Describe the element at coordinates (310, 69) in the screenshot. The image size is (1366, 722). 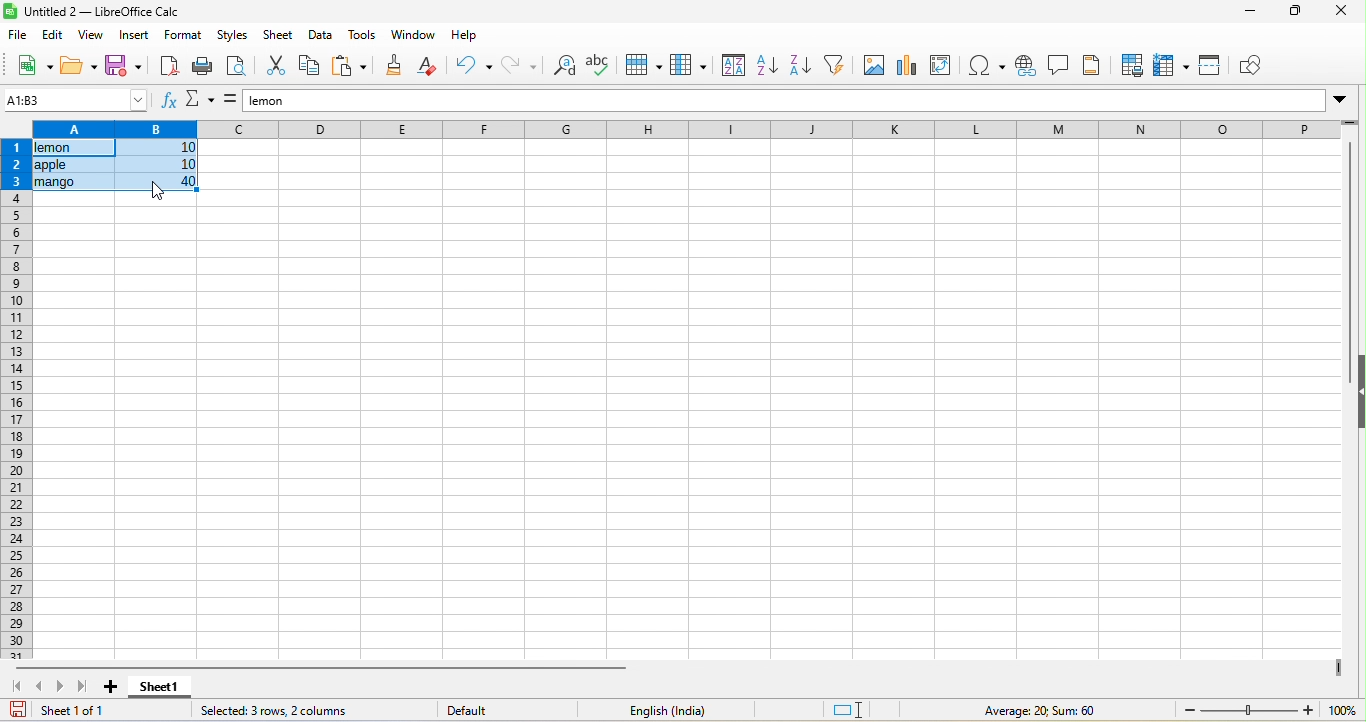
I see `copy` at that location.